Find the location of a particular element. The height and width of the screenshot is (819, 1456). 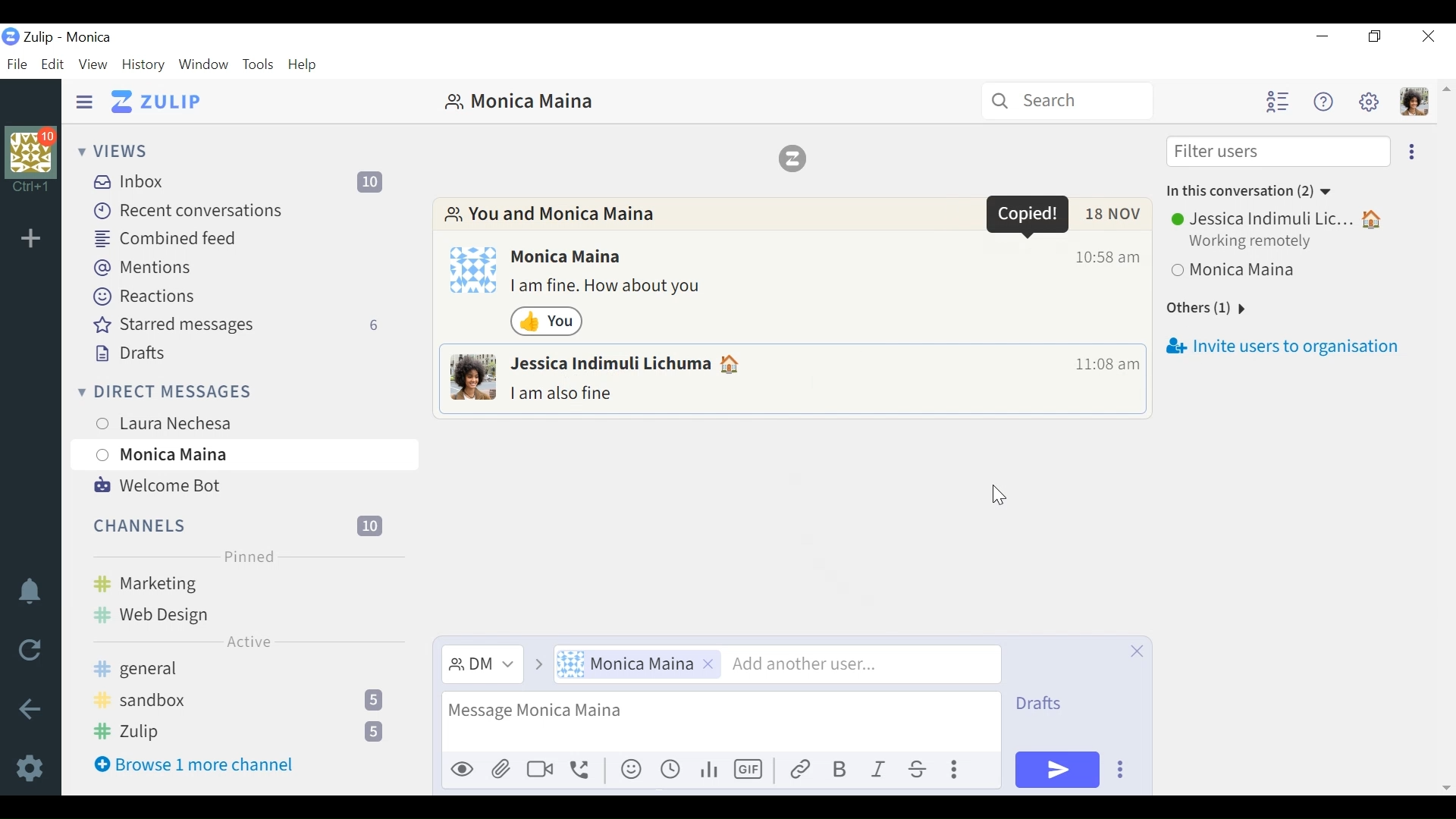

Organization profile is located at coordinates (31, 149).